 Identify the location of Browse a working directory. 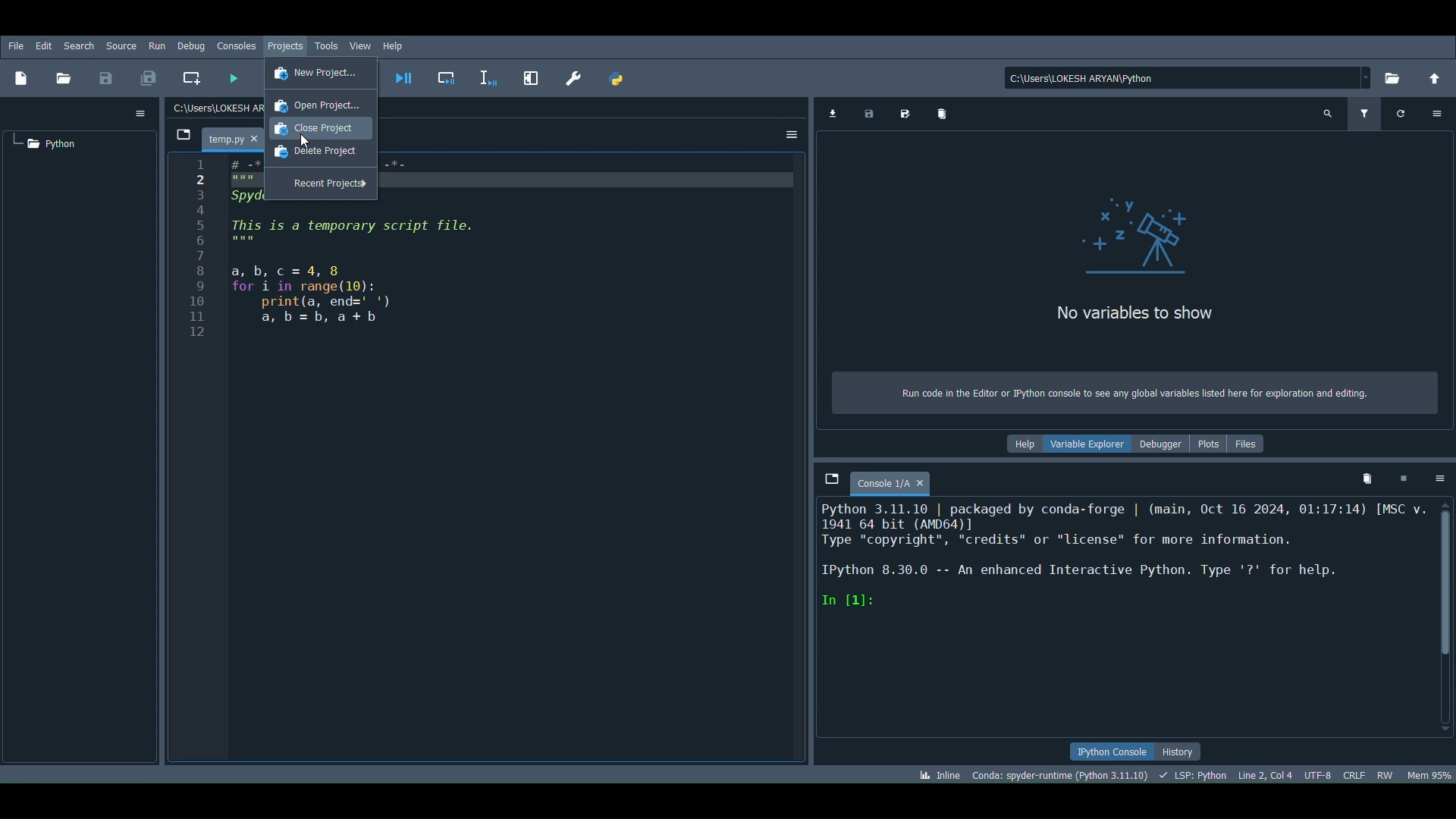
(1398, 80).